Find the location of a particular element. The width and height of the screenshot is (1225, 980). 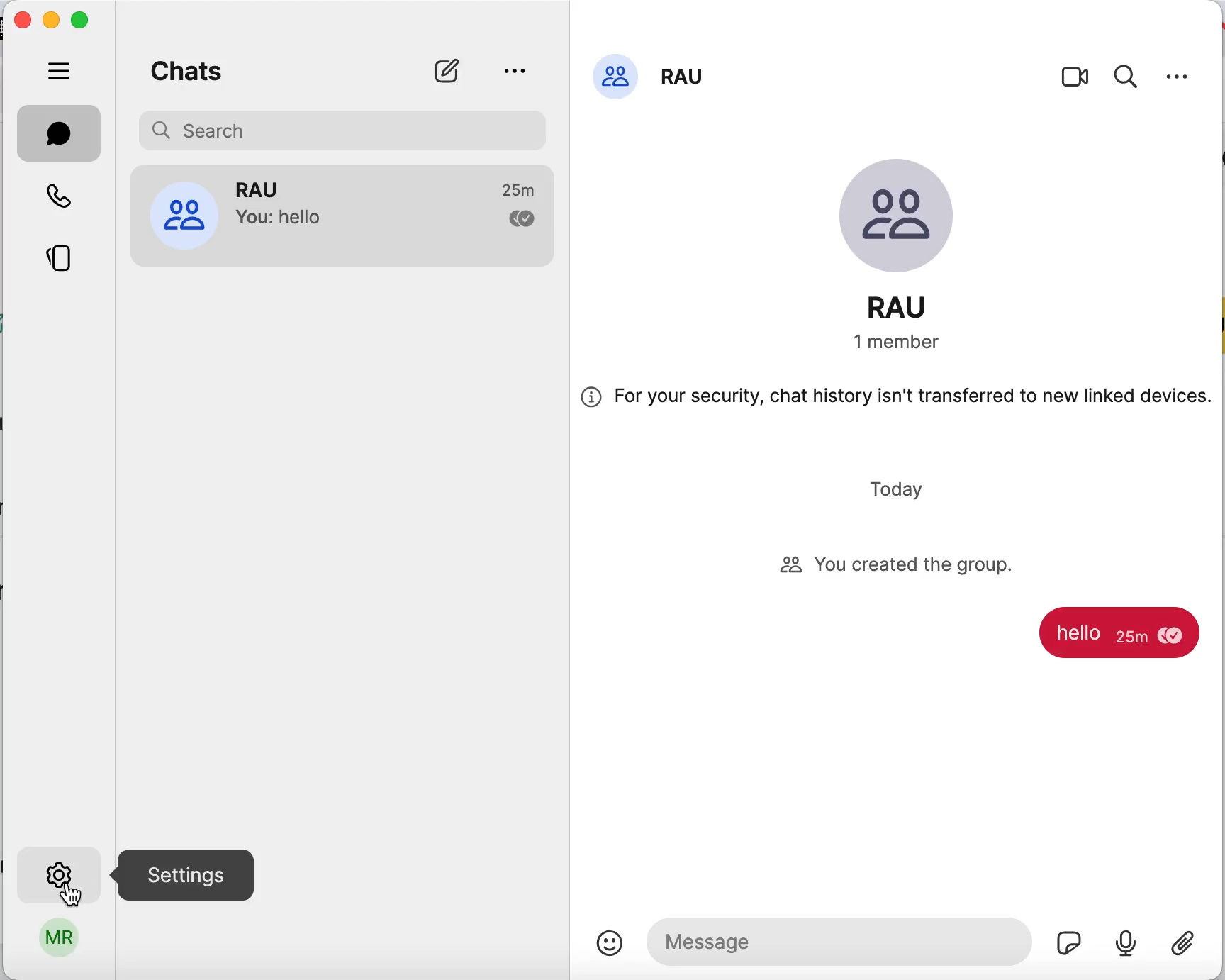

members is located at coordinates (902, 349).